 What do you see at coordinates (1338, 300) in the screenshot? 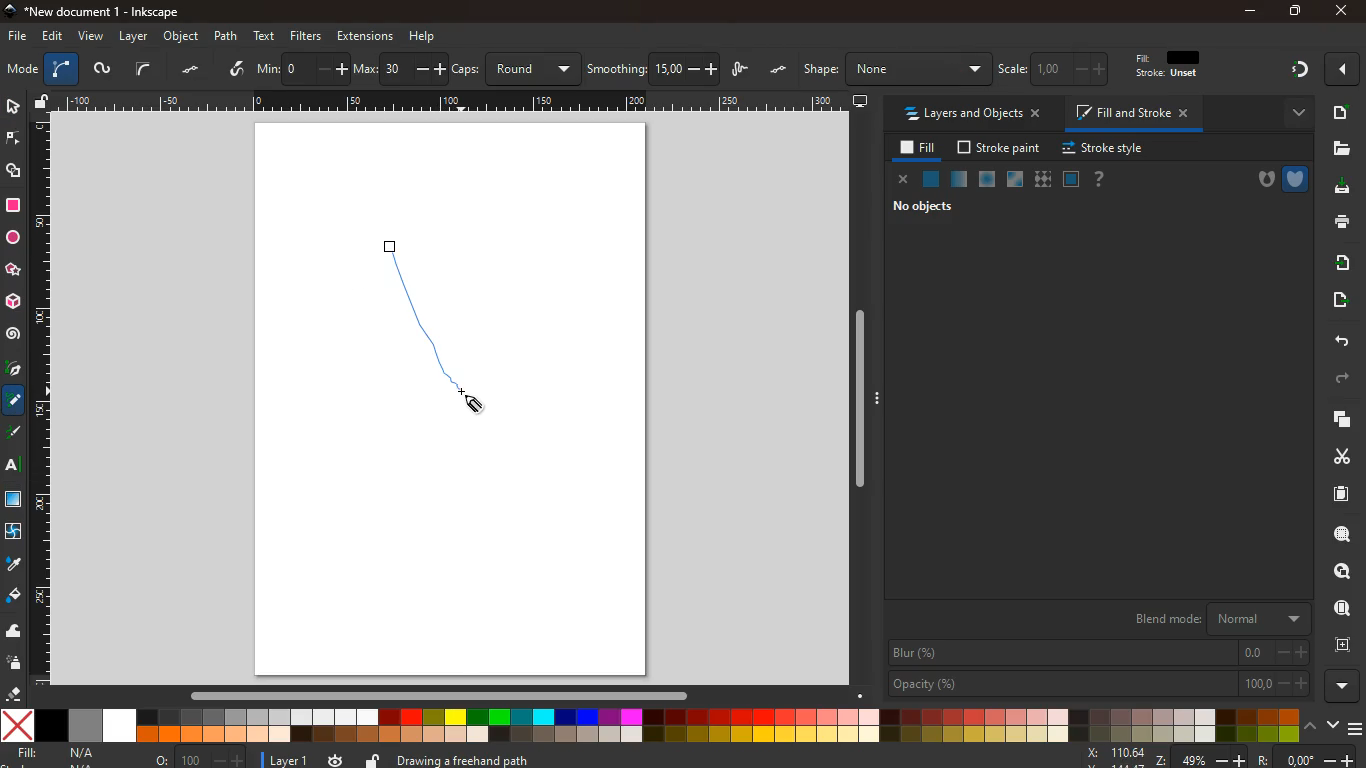
I see `send` at bounding box center [1338, 300].